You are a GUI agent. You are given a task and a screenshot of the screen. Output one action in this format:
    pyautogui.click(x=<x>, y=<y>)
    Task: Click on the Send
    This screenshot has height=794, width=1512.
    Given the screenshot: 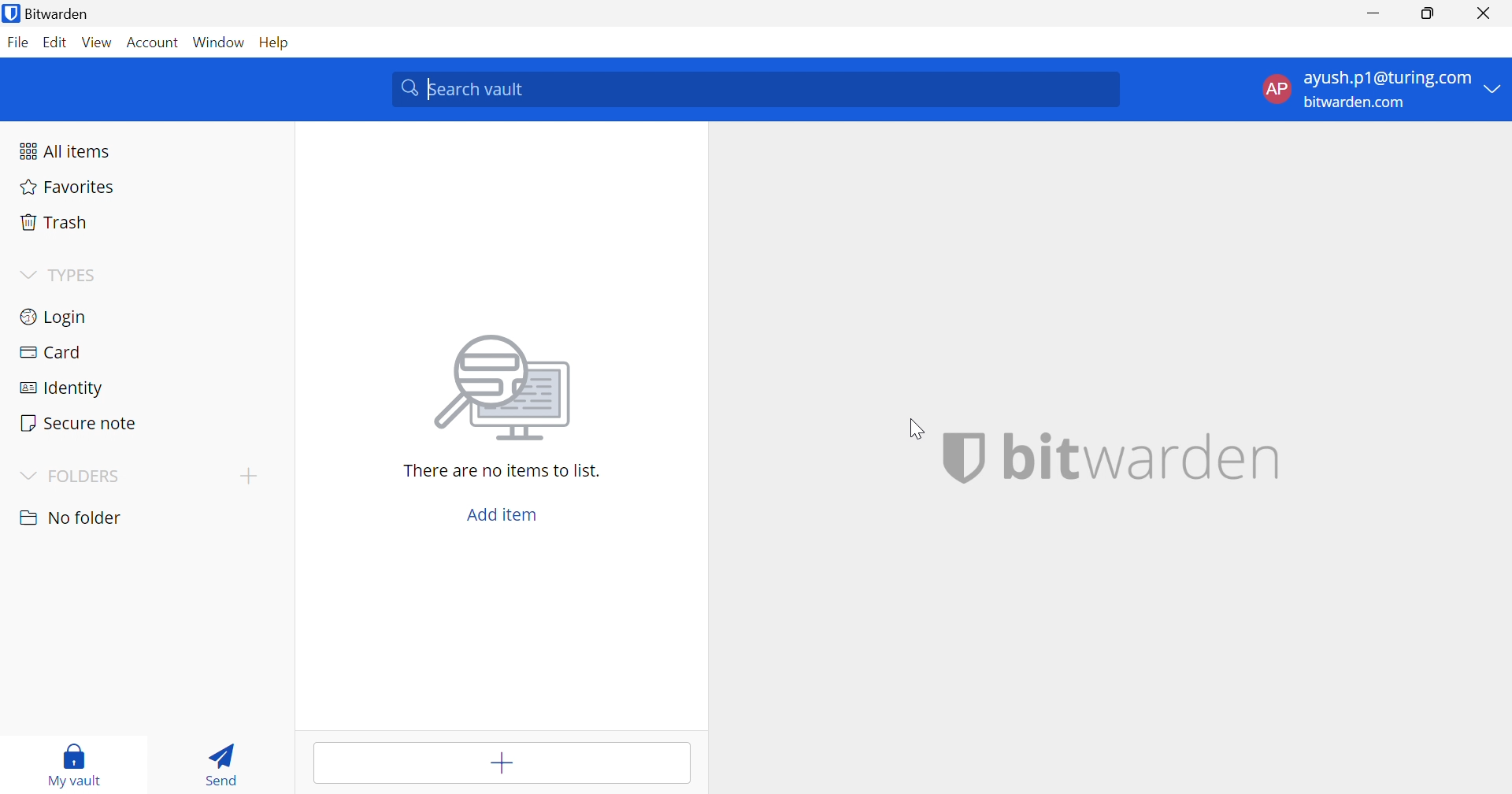 What is the action you would take?
    pyautogui.click(x=220, y=762)
    